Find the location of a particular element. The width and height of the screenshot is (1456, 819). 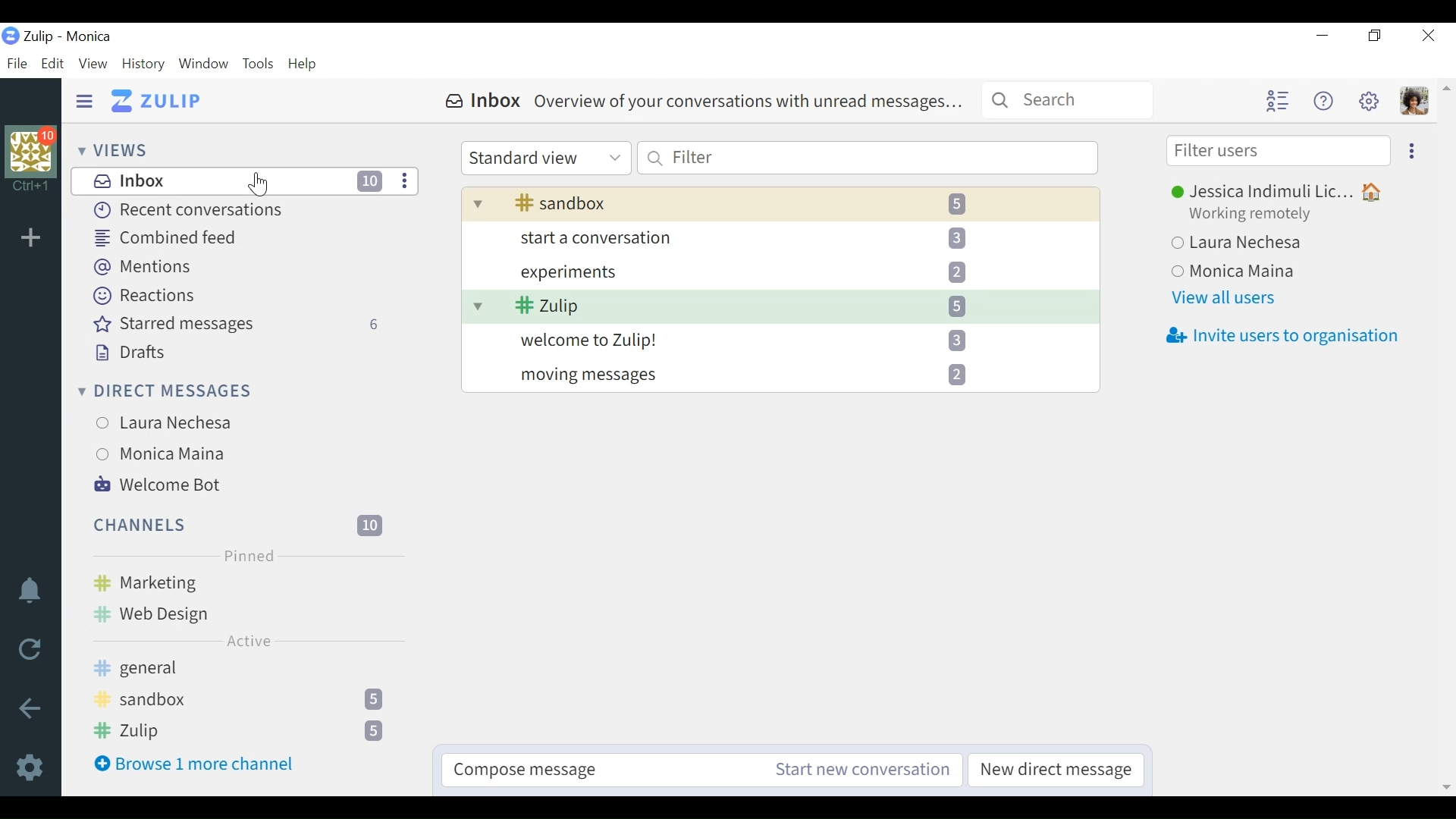

Standard view is located at coordinates (548, 159).